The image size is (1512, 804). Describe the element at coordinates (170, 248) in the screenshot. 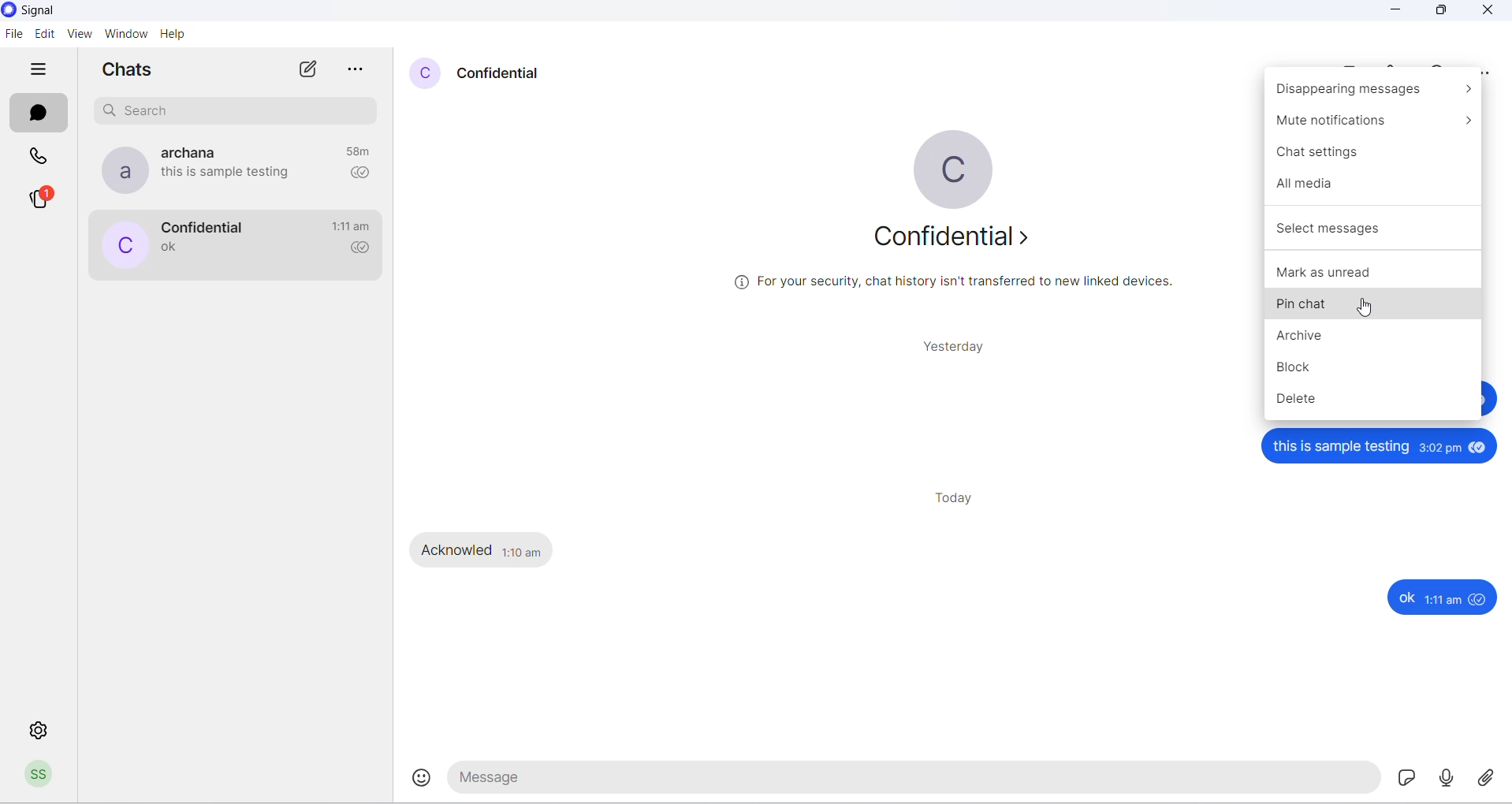

I see `last message` at that location.